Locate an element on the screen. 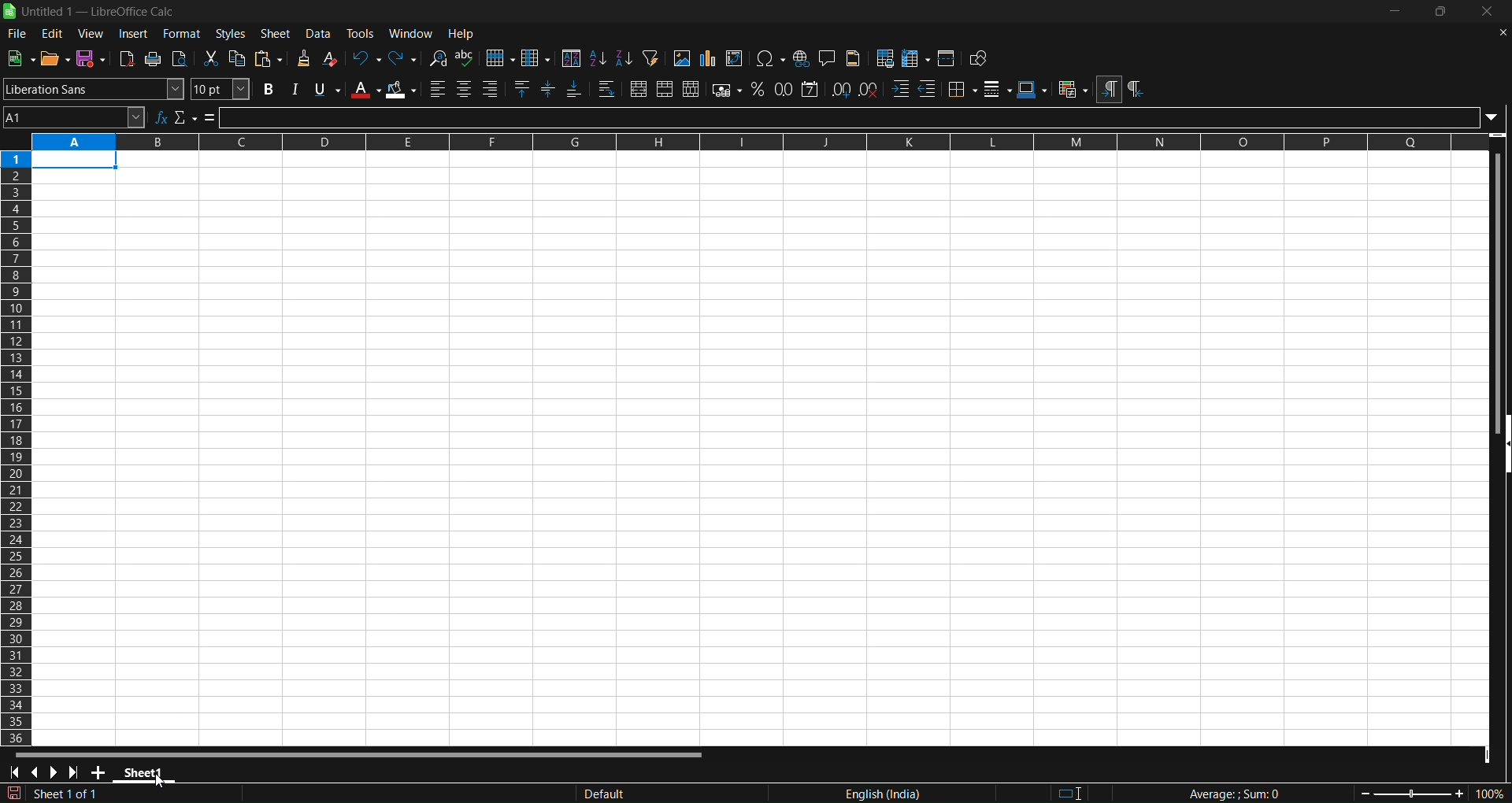 Image resolution: width=1512 pixels, height=803 pixels. insert hyperlink is located at coordinates (802, 58).